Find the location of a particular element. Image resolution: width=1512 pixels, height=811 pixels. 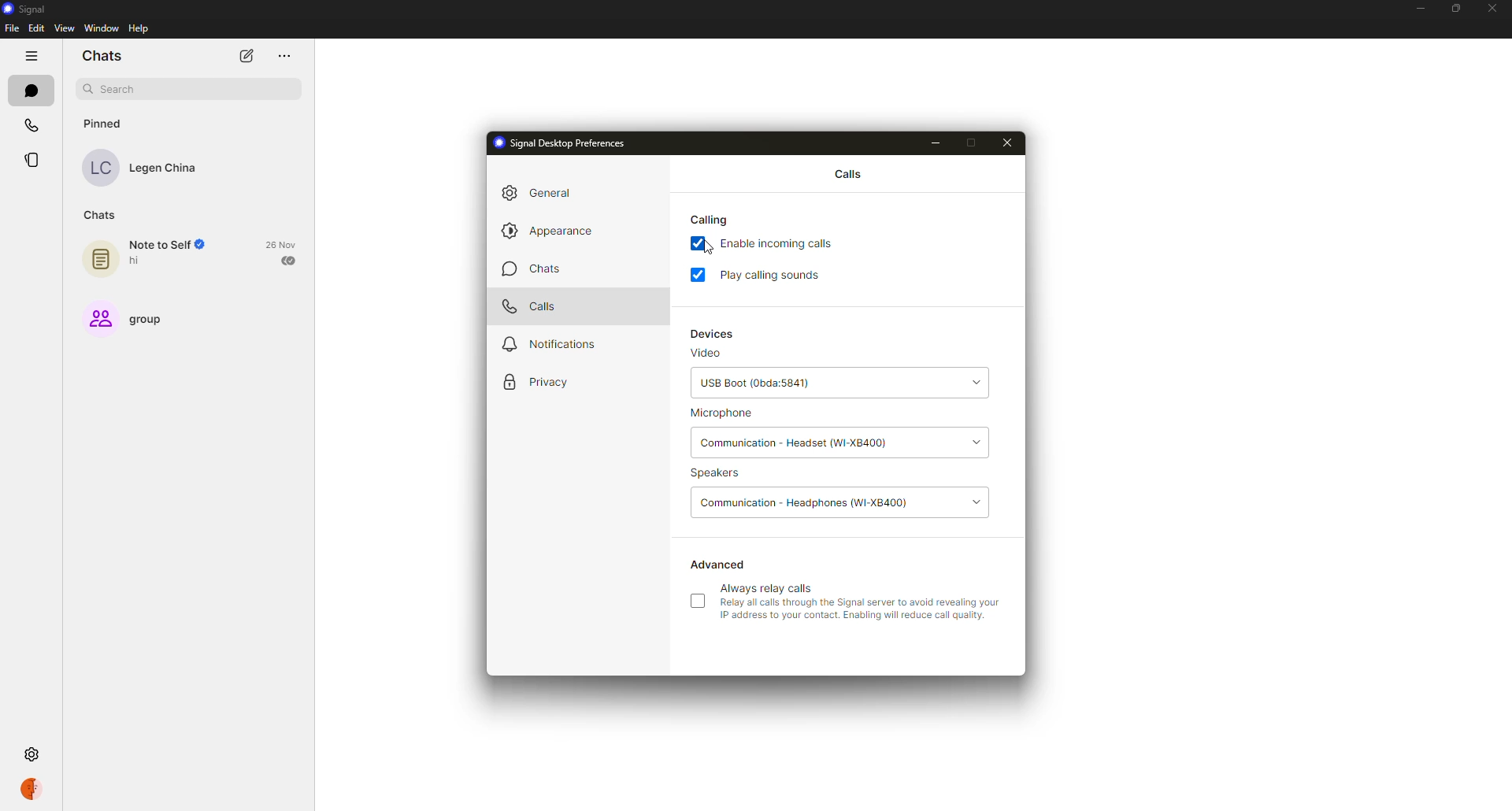

advanced is located at coordinates (717, 564).